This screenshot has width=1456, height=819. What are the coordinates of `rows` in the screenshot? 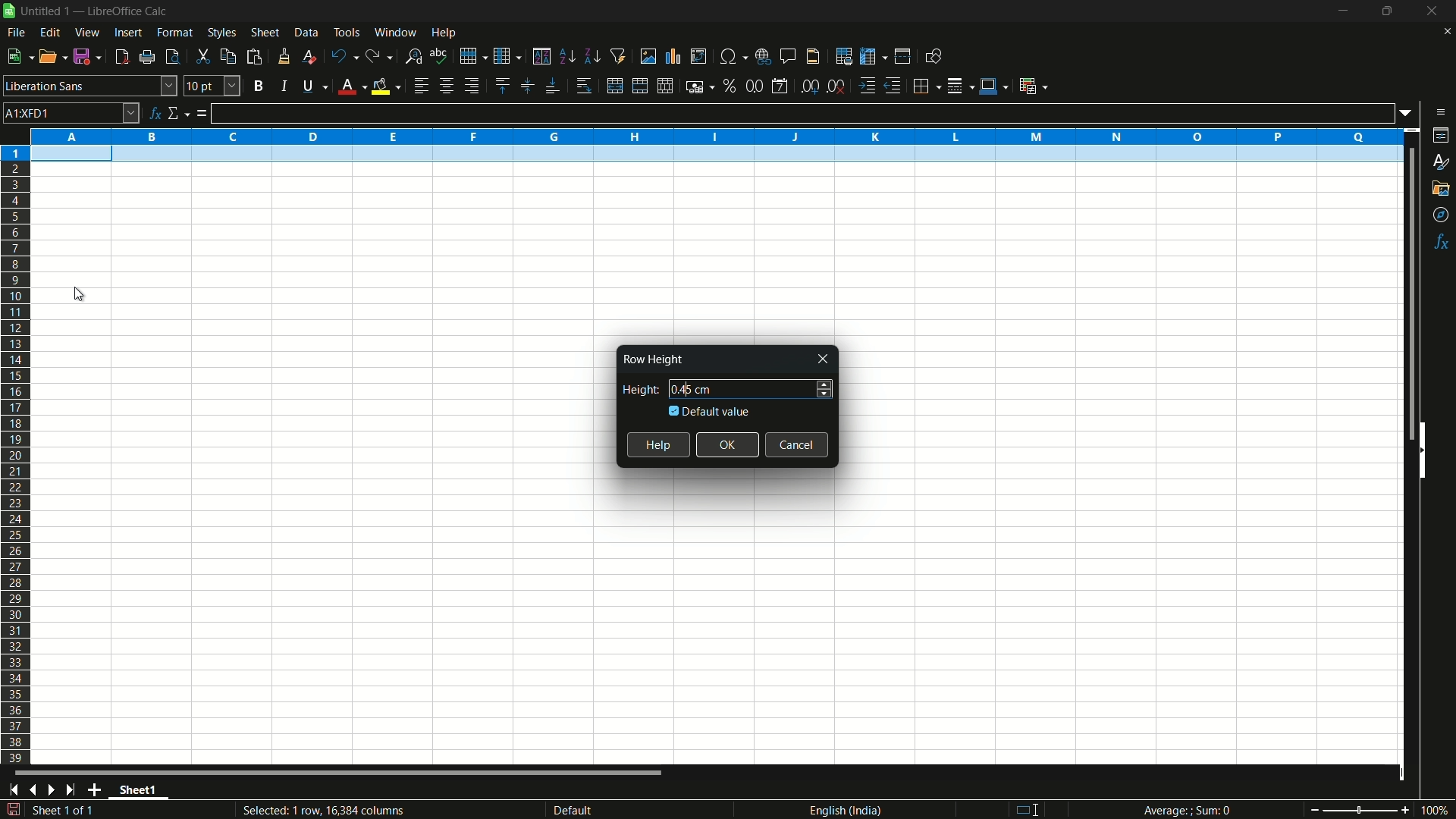 It's located at (16, 454).